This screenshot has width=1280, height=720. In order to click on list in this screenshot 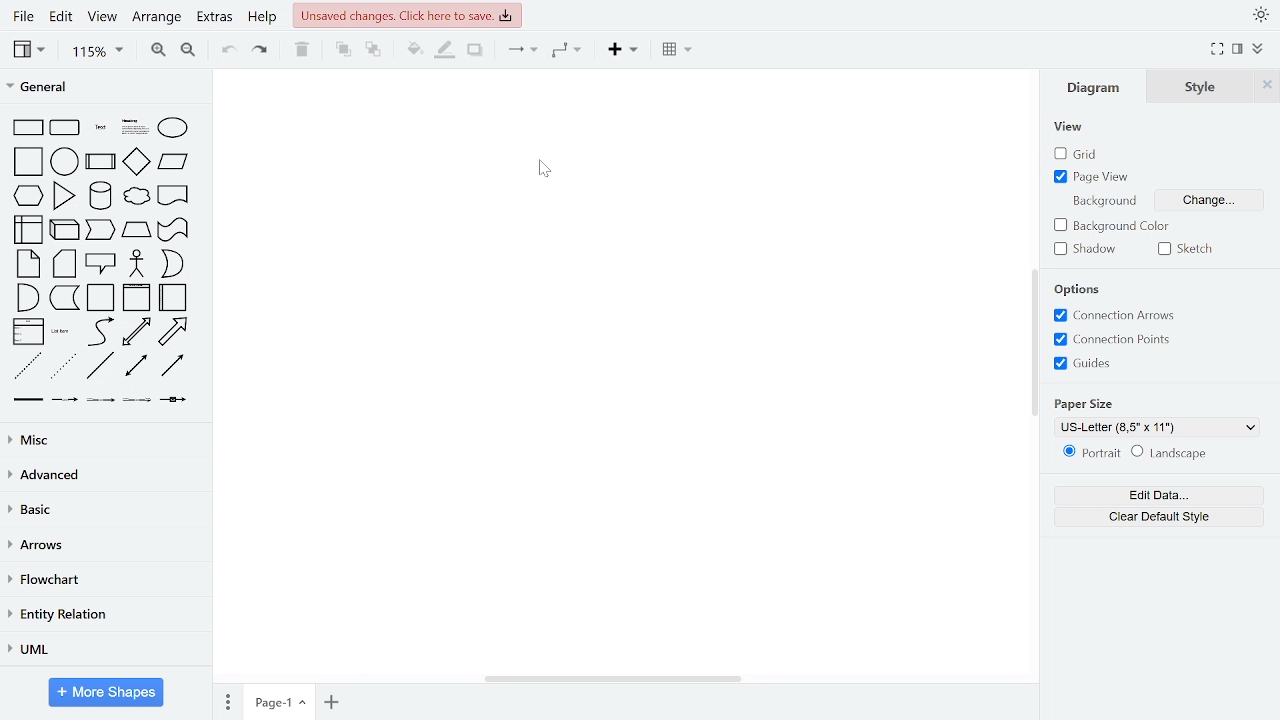, I will do `click(28, 333)`.